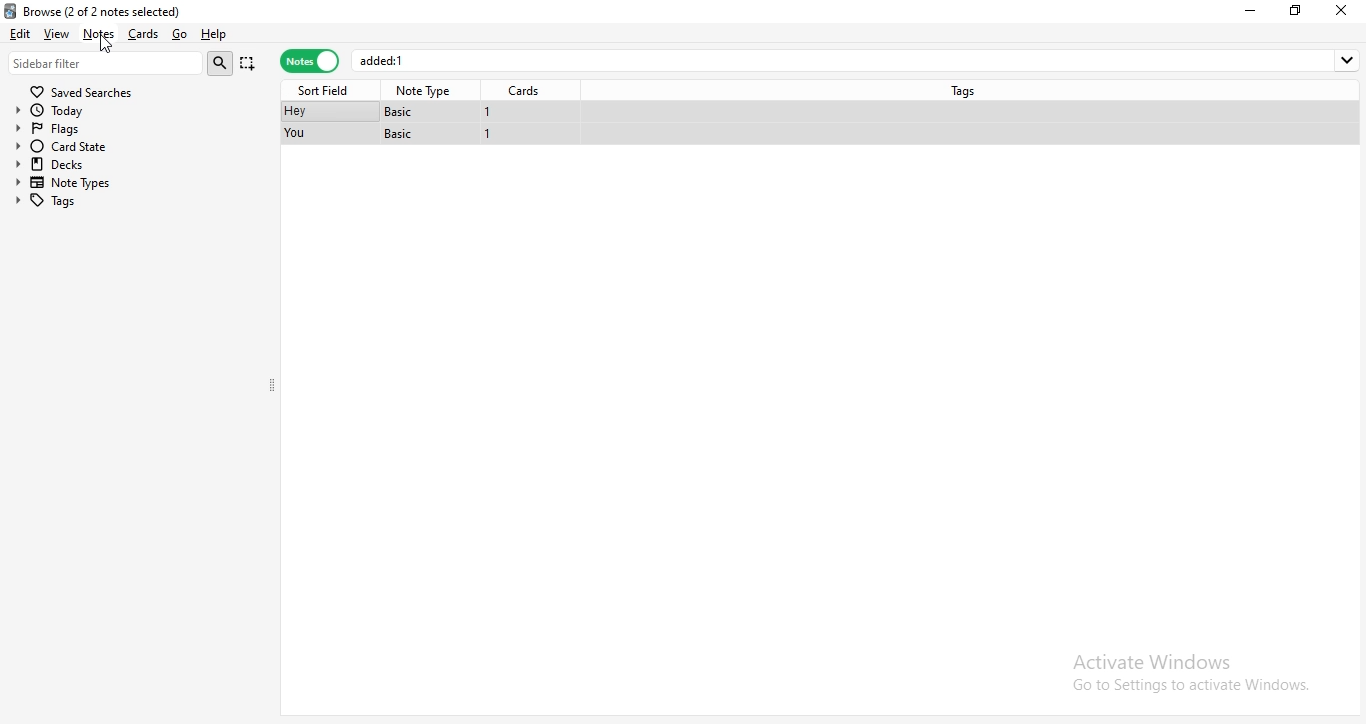  What do you see at coordinates (1296, 10) in the screenshot?
I see `restore` at bounding box center [1296, 10].